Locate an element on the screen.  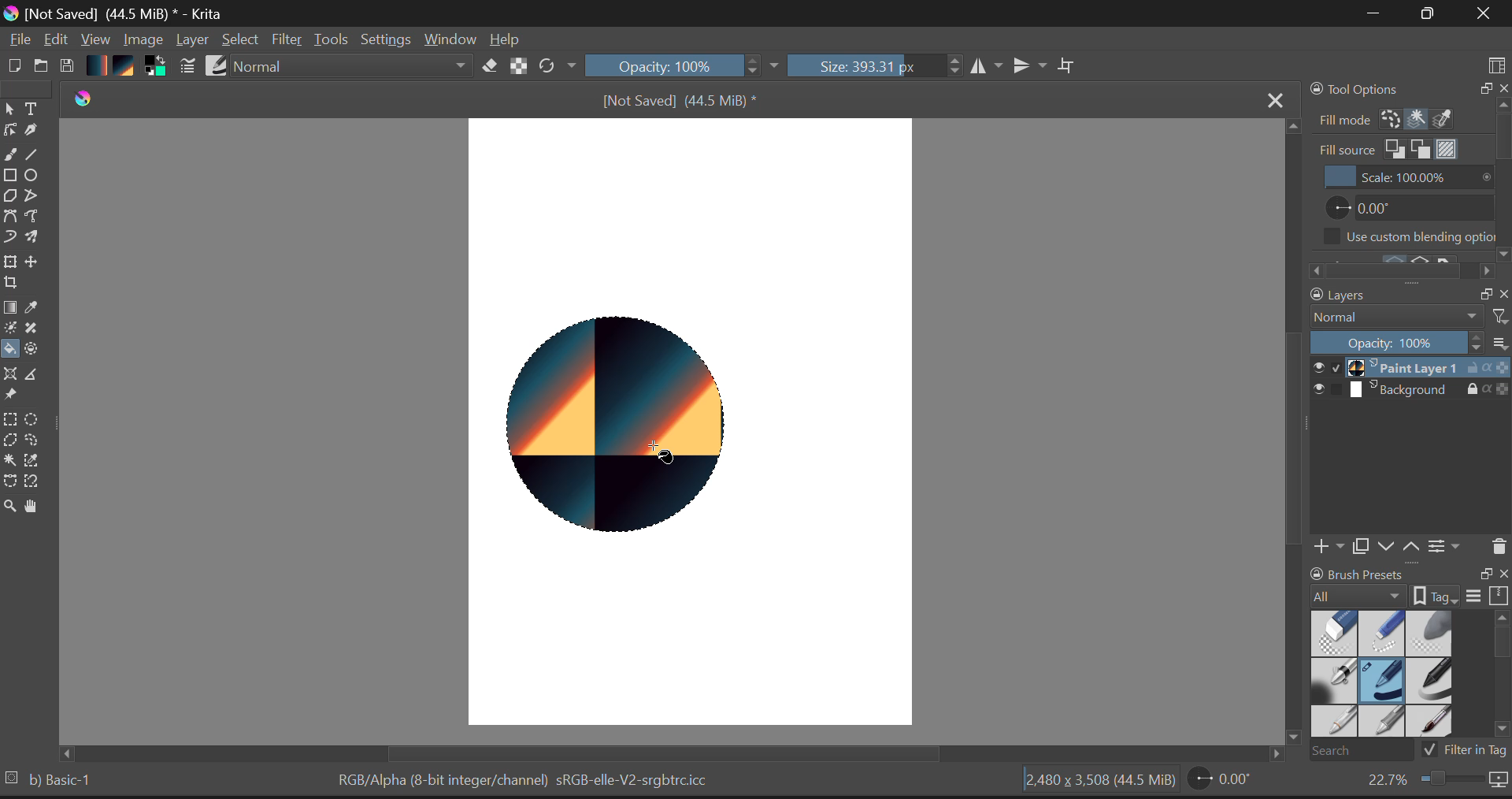
Help is located at coordinates (506, 39).